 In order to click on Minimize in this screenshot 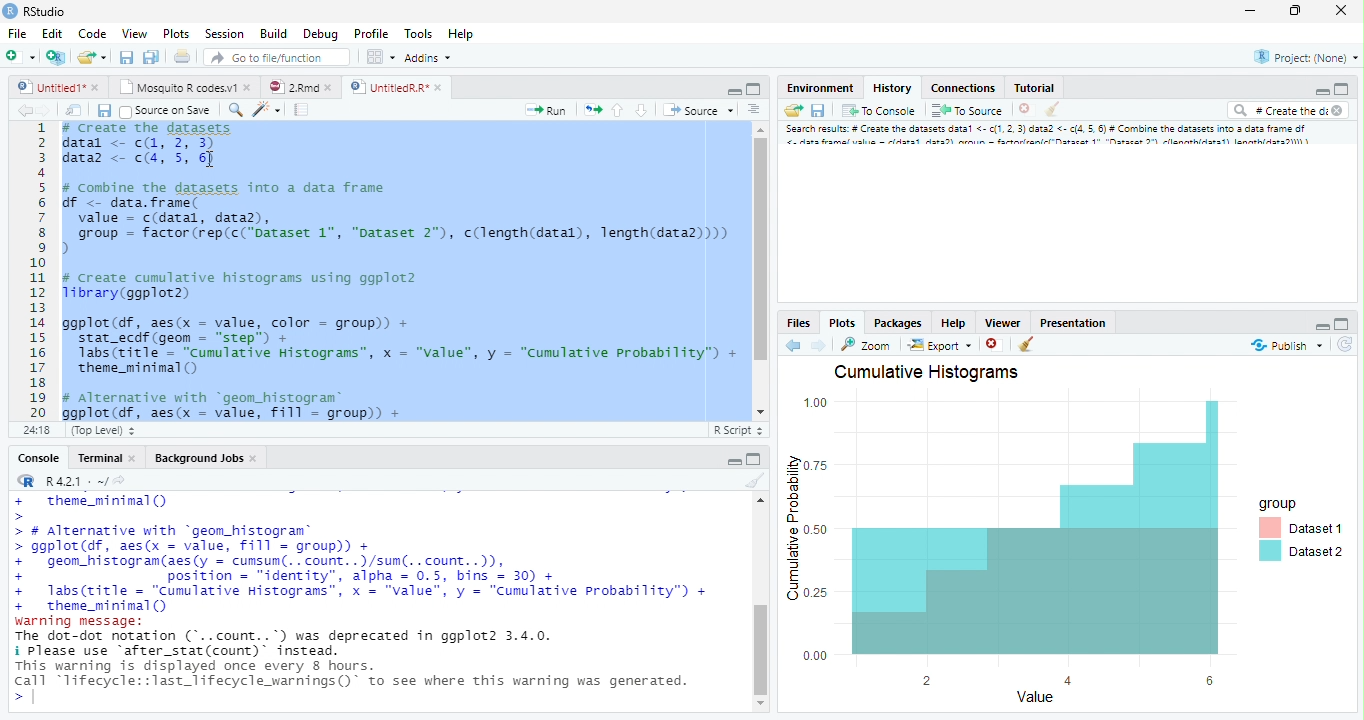, I will do `click(1253, 11)`.